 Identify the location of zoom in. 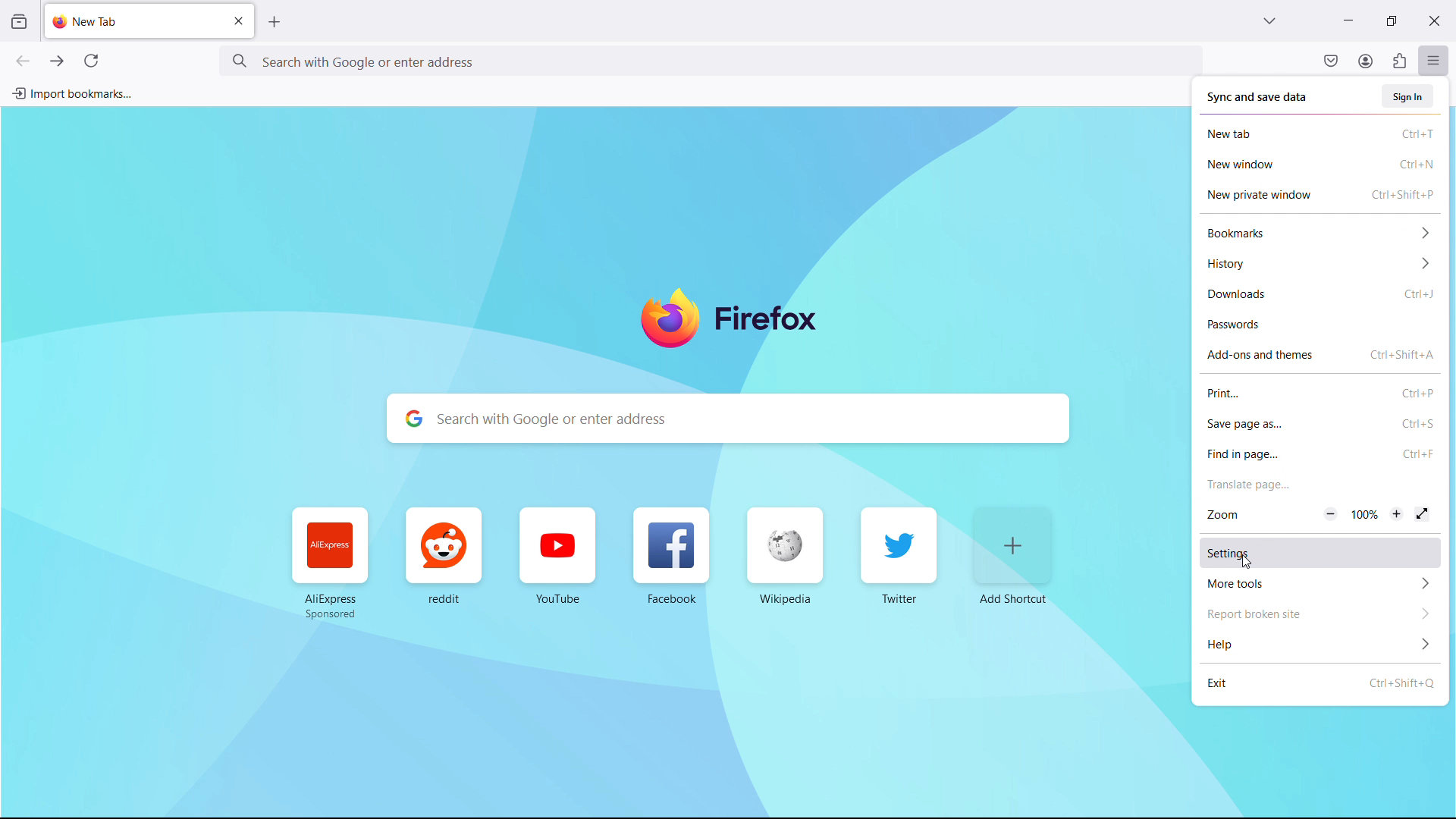
(1398, 514).